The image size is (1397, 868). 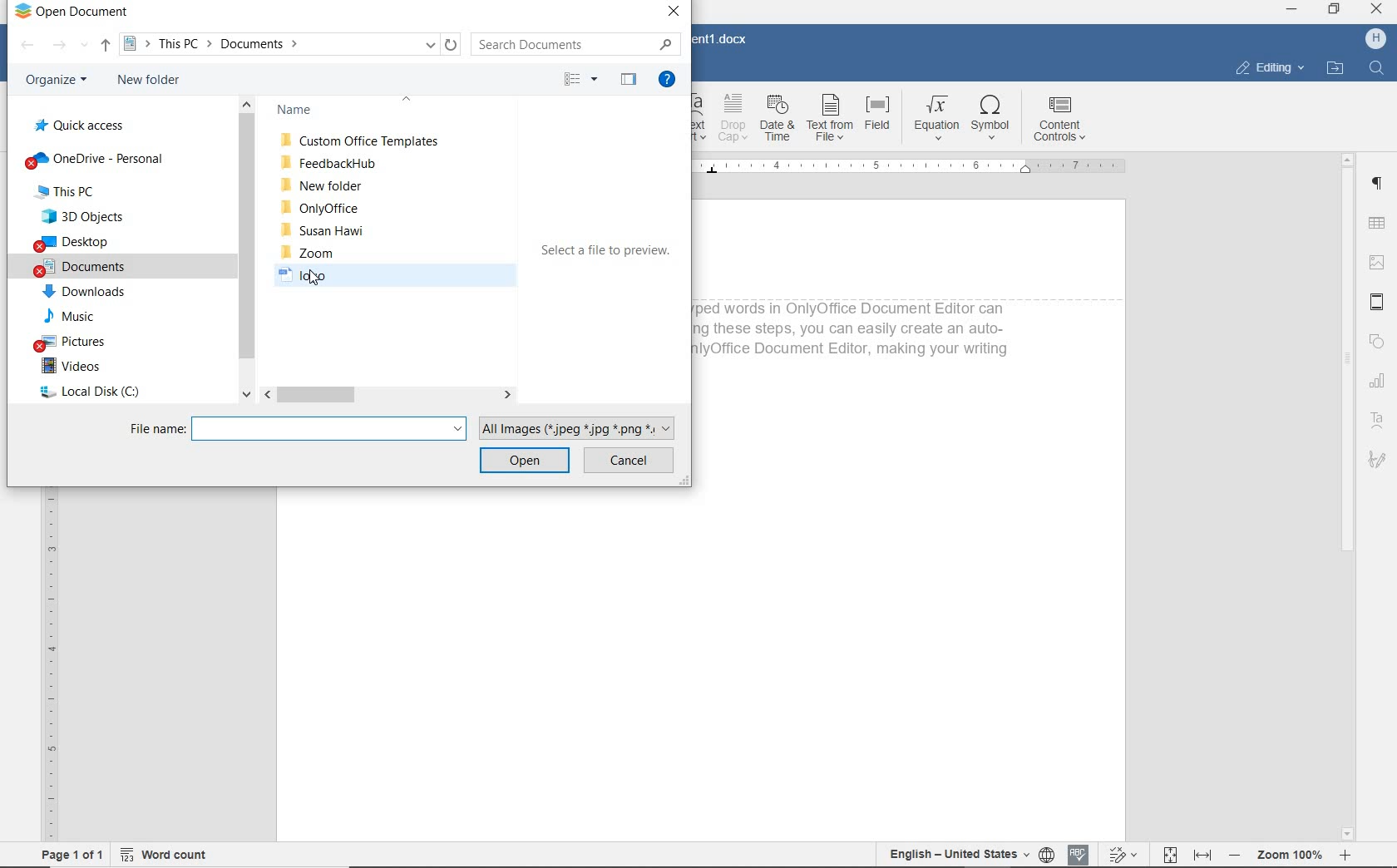 What do you see at coordinates (570, 43) in the screenshot?
I see `SEARCH DOCUMENT` at bounding box center [570, 43].